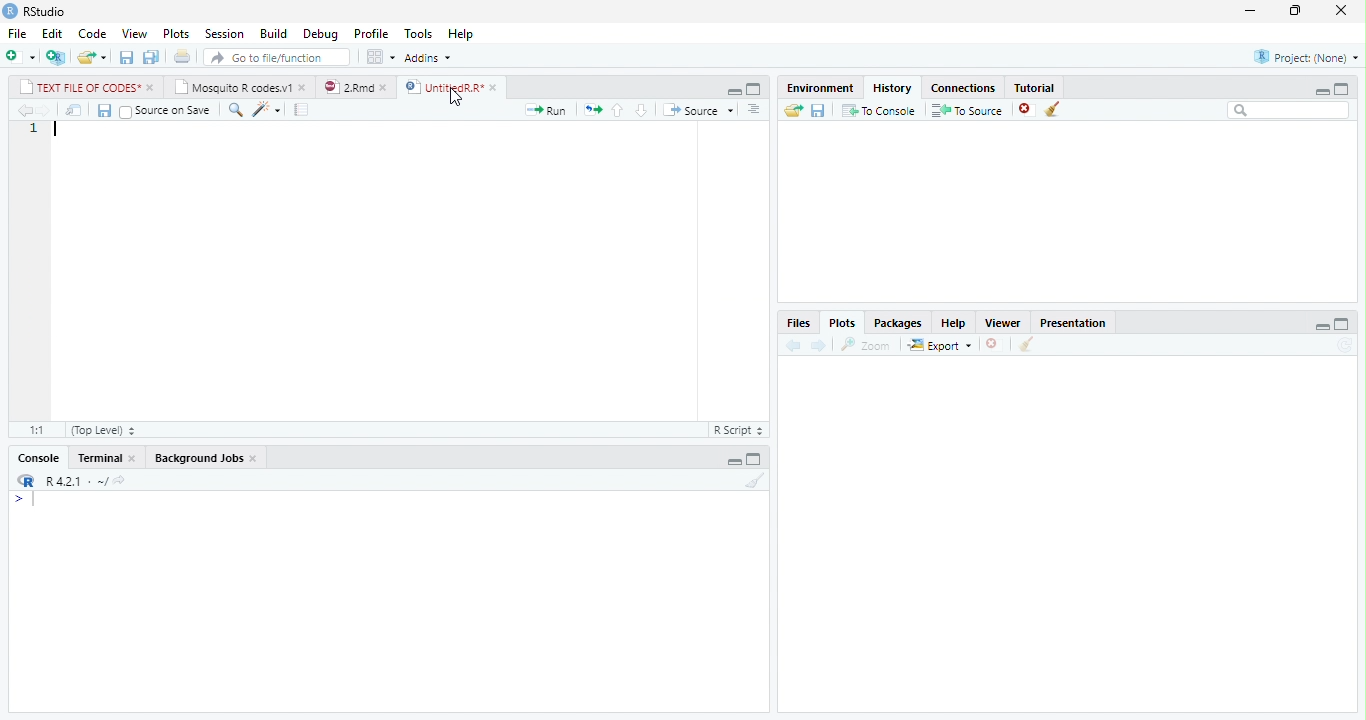 The width and height of the screenshot is (1366, 720). What do you see at coordinates (46, 111) in the screenshot?
I see `forward` at bounding box center [46, 111].